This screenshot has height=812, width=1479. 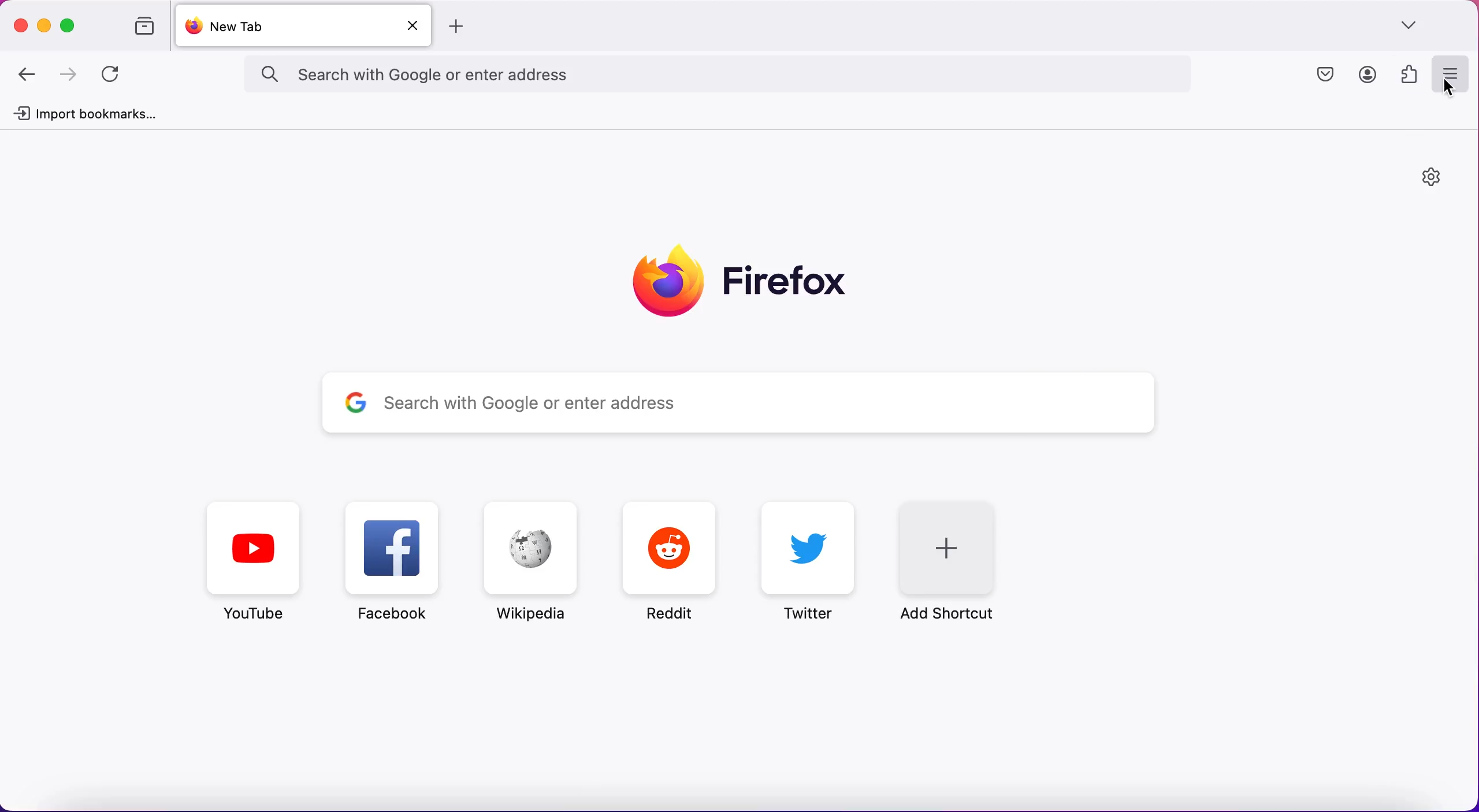 What do you see at coordinates (71, 25) in the screenshot?
I see `maximize` at bounding box center [71, 25].